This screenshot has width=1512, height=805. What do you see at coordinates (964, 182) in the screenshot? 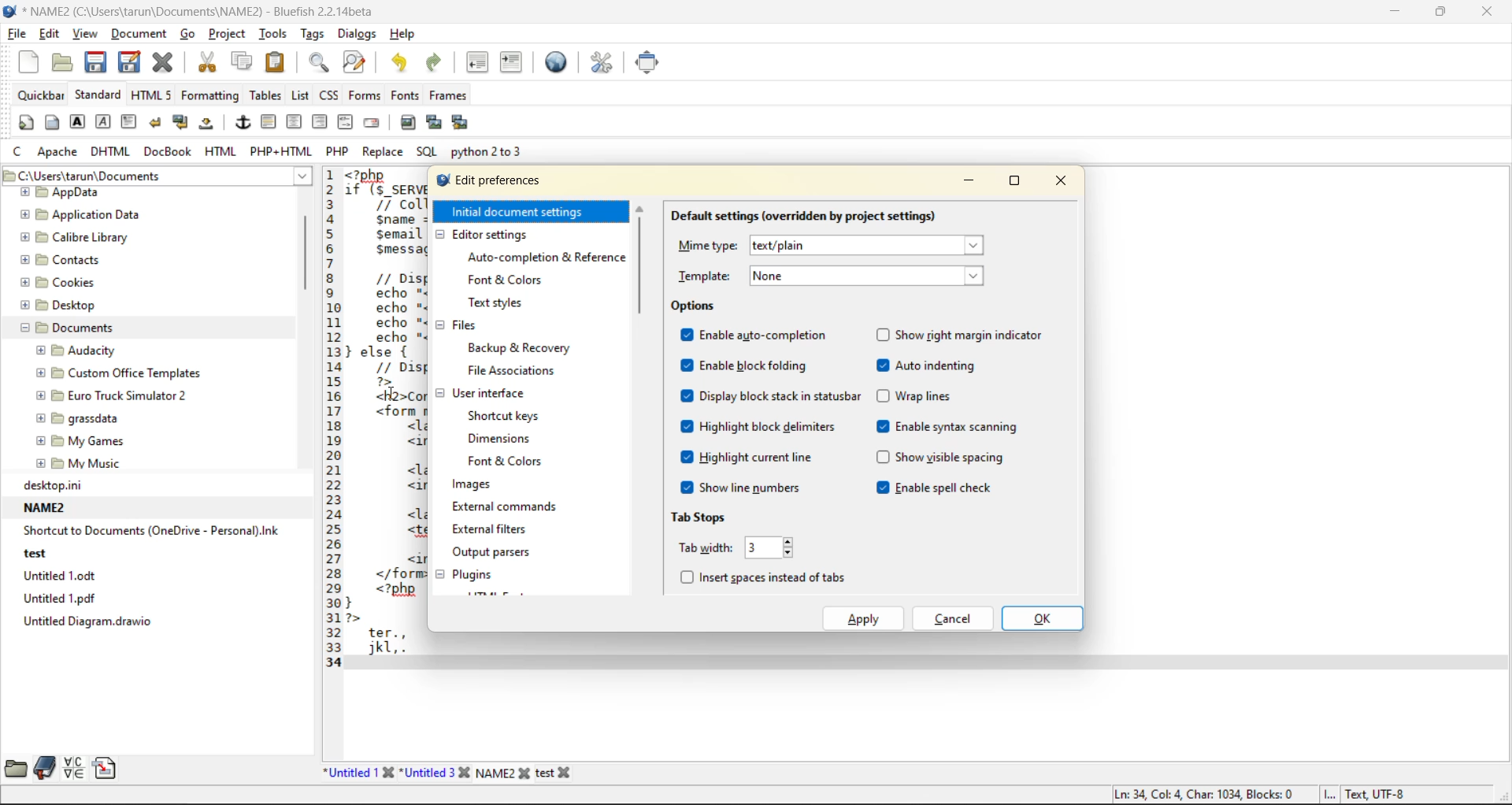
I see `minimize` at bounding box center [964, 182].